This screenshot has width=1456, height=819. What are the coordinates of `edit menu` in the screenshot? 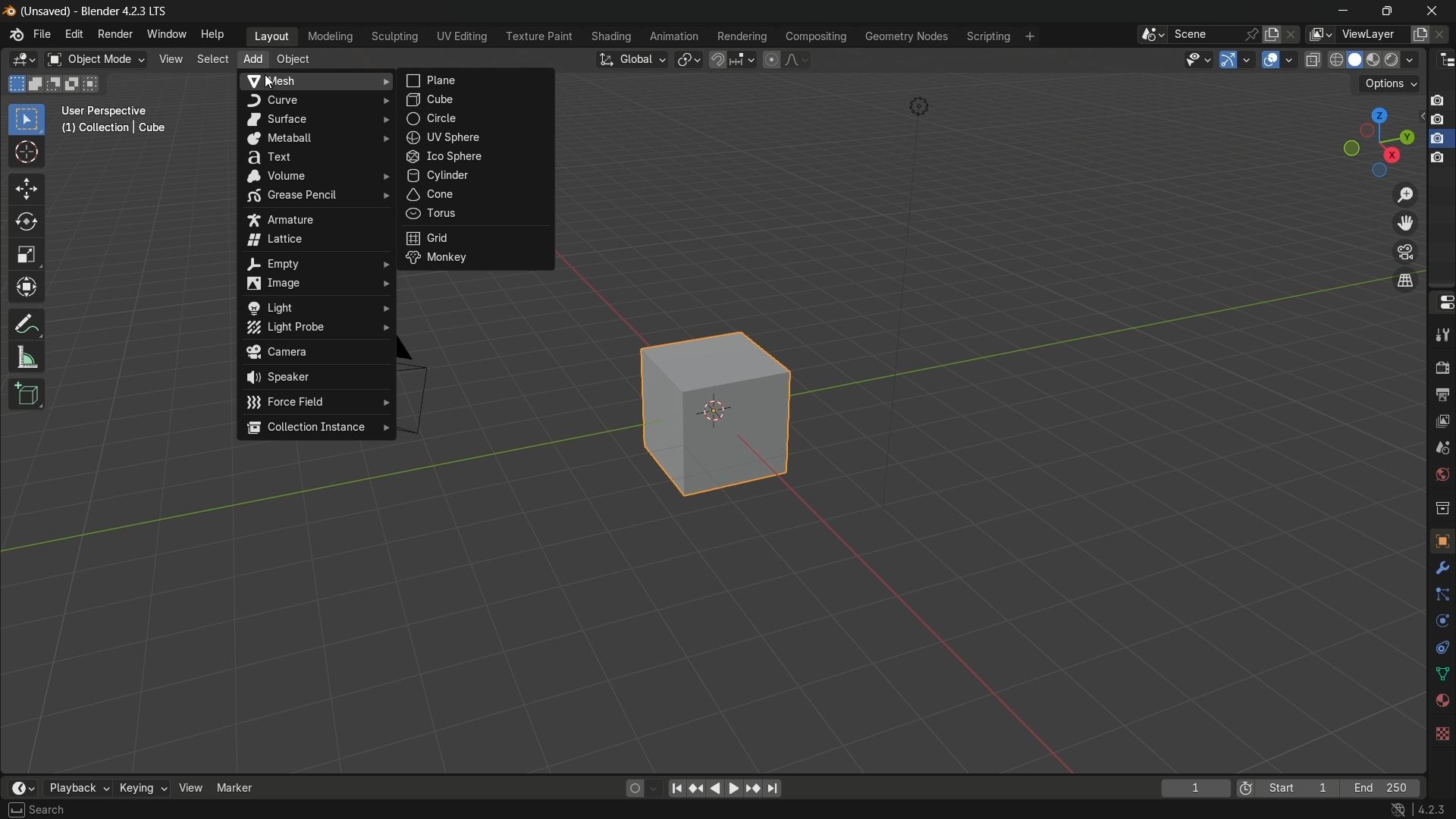 It's located at (73, 33).